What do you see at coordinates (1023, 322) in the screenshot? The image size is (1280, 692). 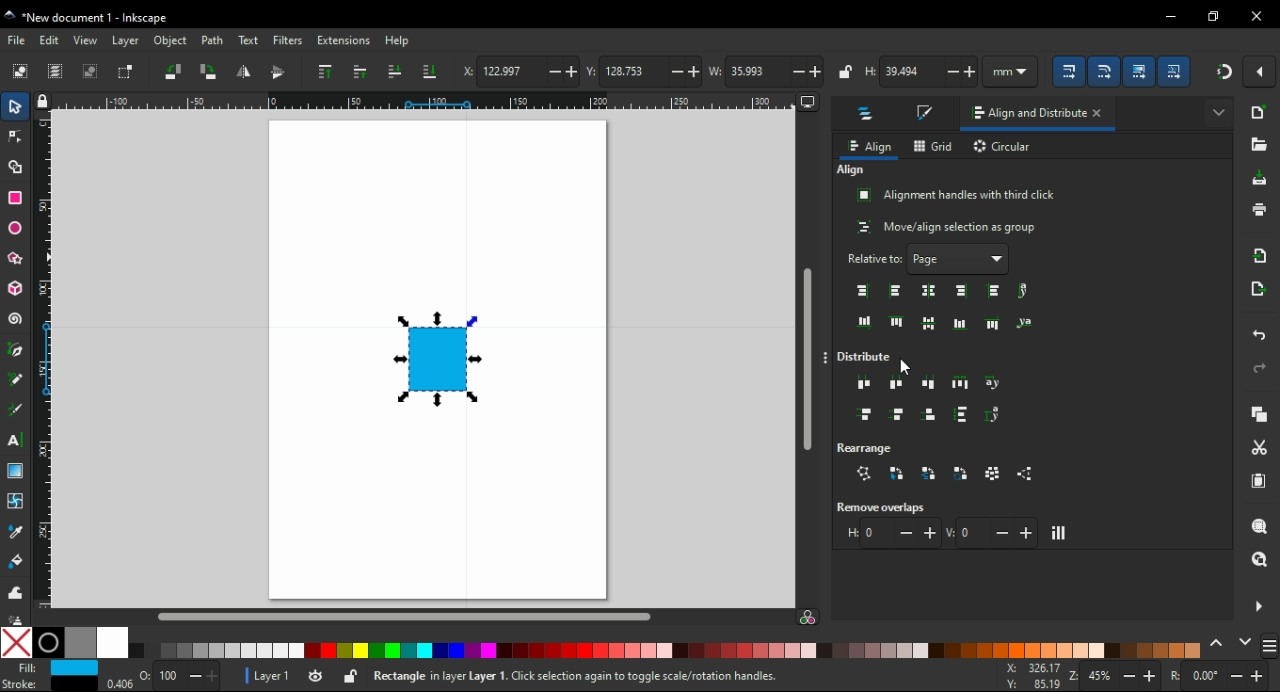 I see `align text anchors vertically` at bounding box center [1023, 322].